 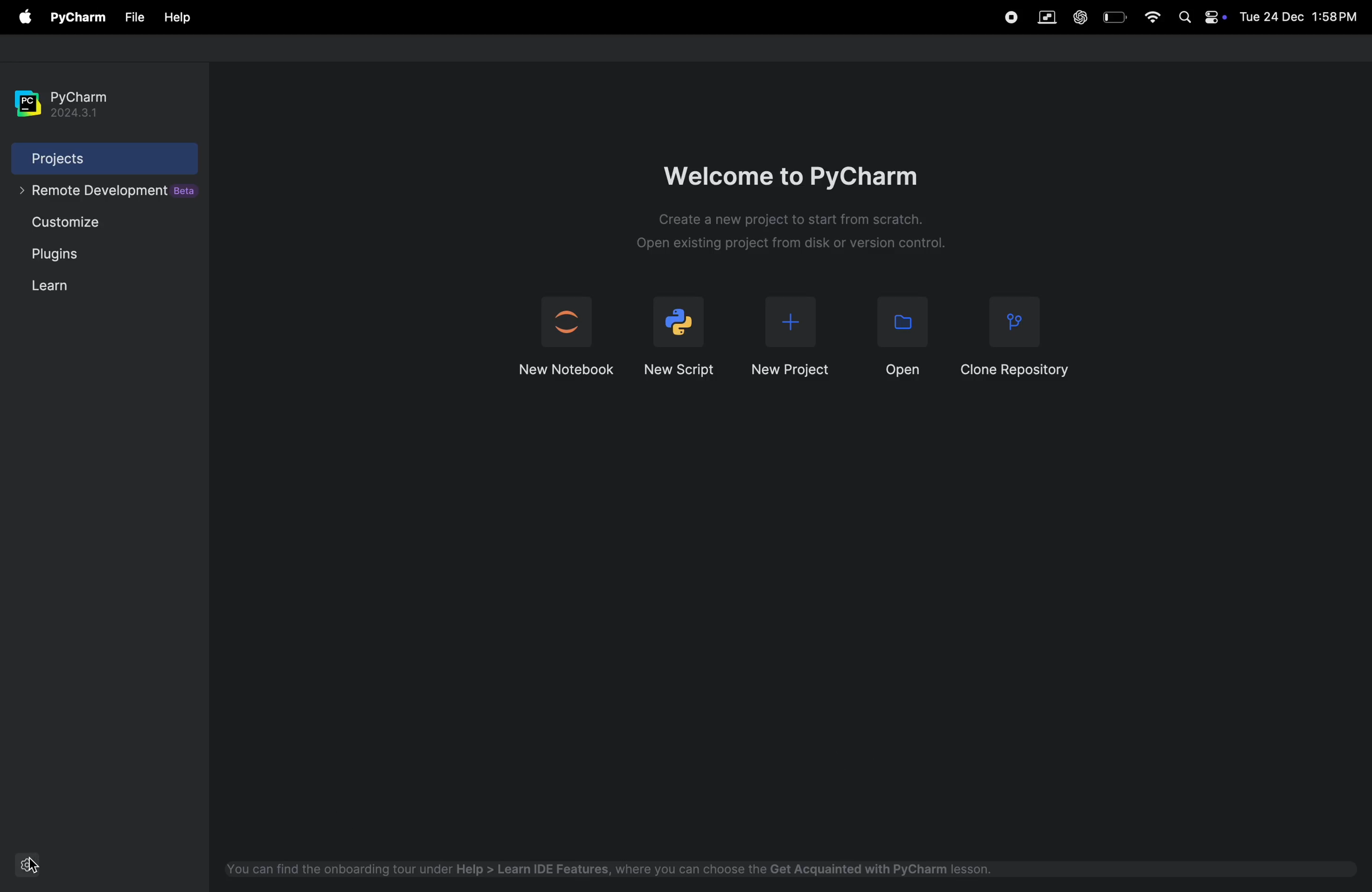 What do you see at coordinates (1050, 17) in the screenshot?
I see `parallel space` at bounding box center [1050, 17].